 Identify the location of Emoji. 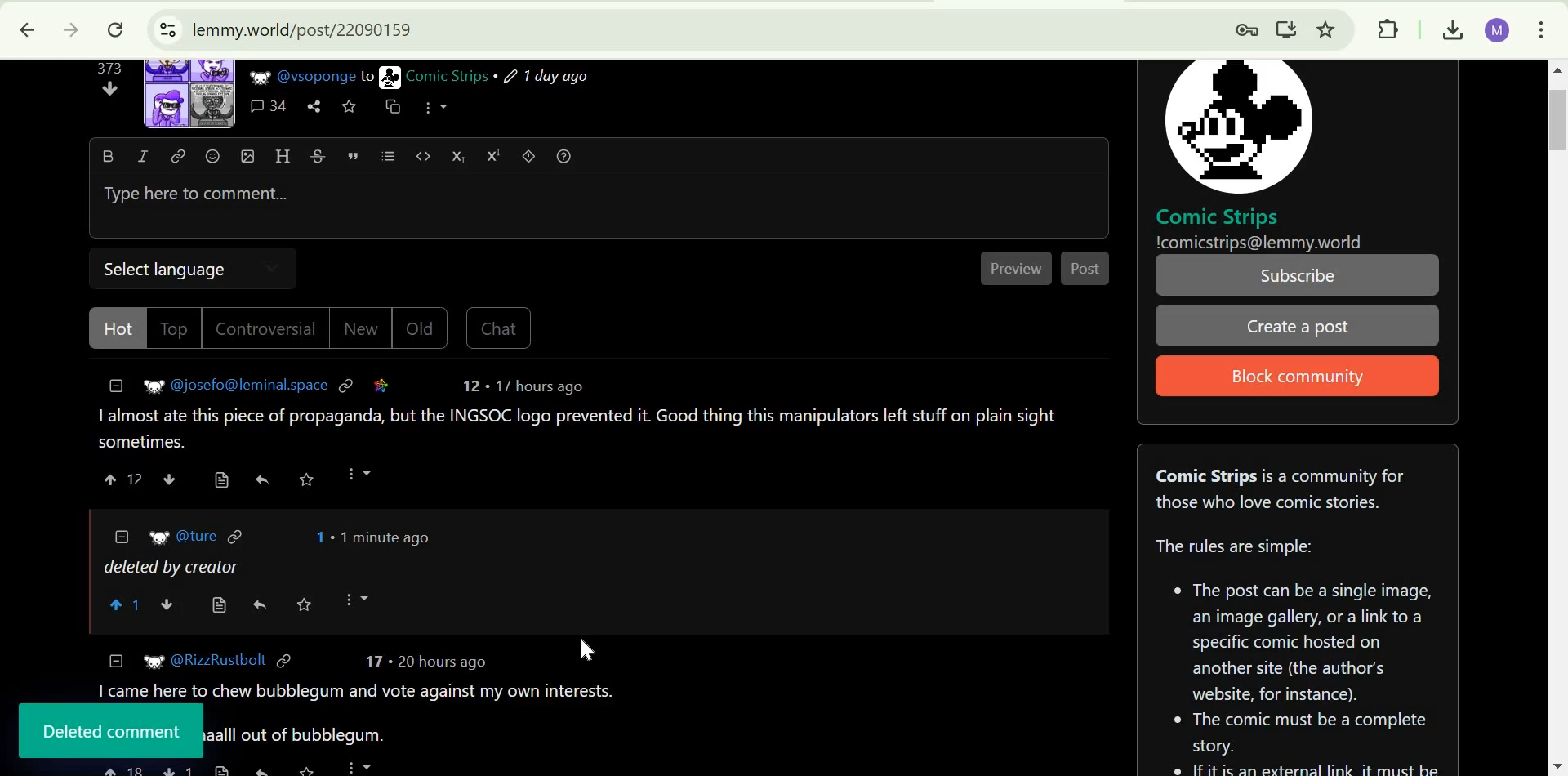
(212, 156).